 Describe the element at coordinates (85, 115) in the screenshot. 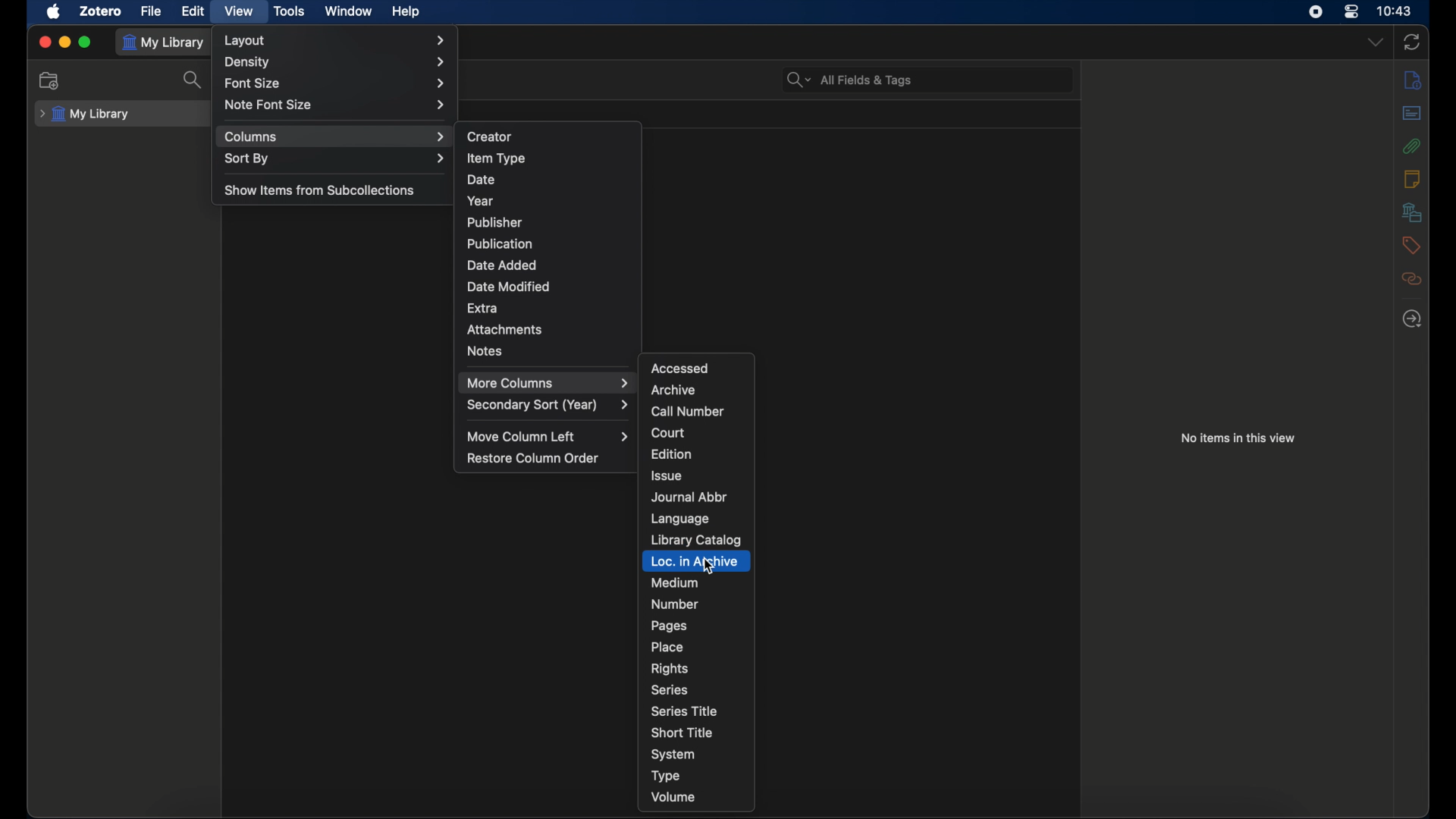

I see `my library` at that location.